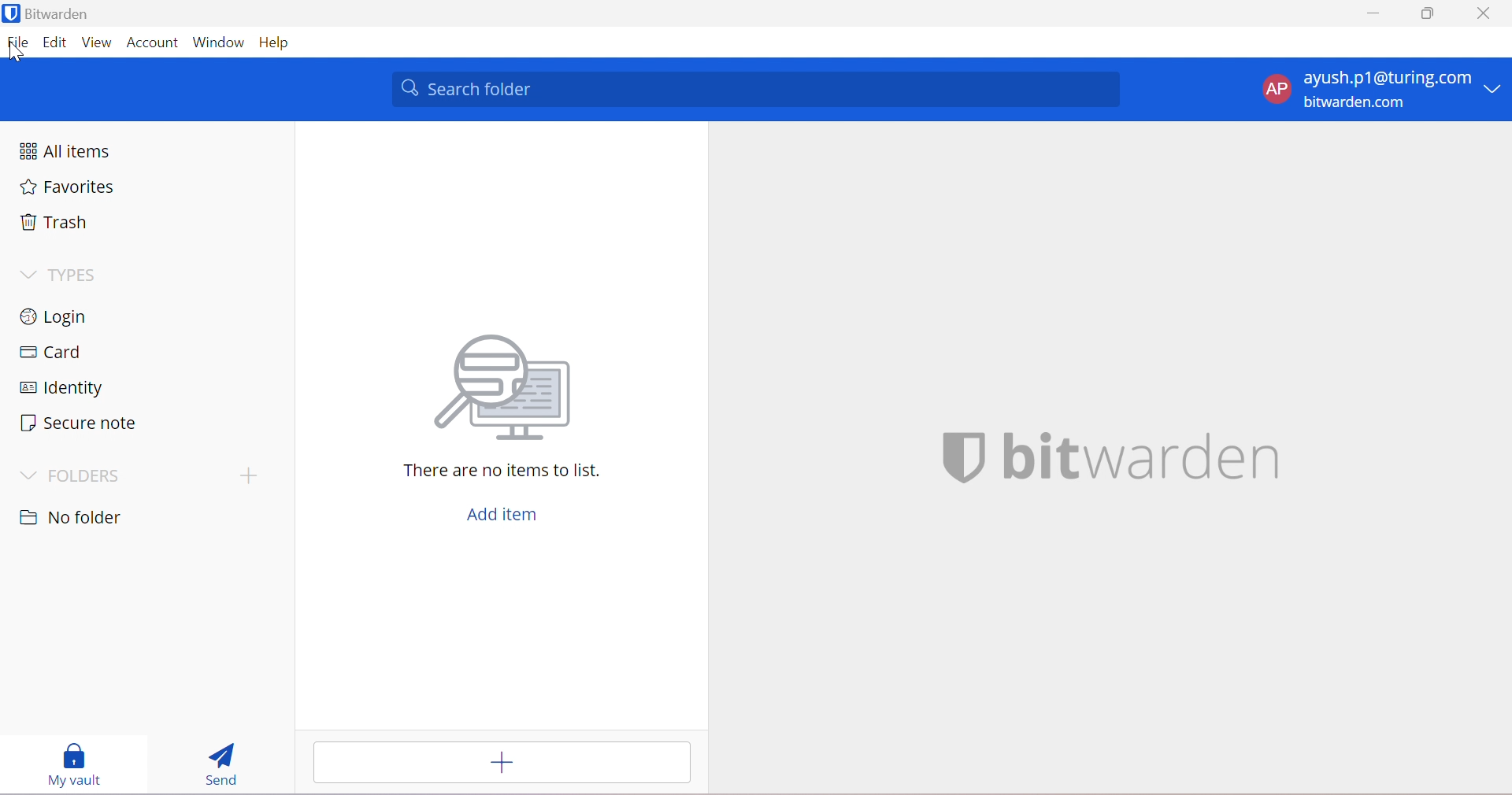  Describe the element at coordinates (954, 460) in the screenshot. I see `bitwarden logo` at that location.